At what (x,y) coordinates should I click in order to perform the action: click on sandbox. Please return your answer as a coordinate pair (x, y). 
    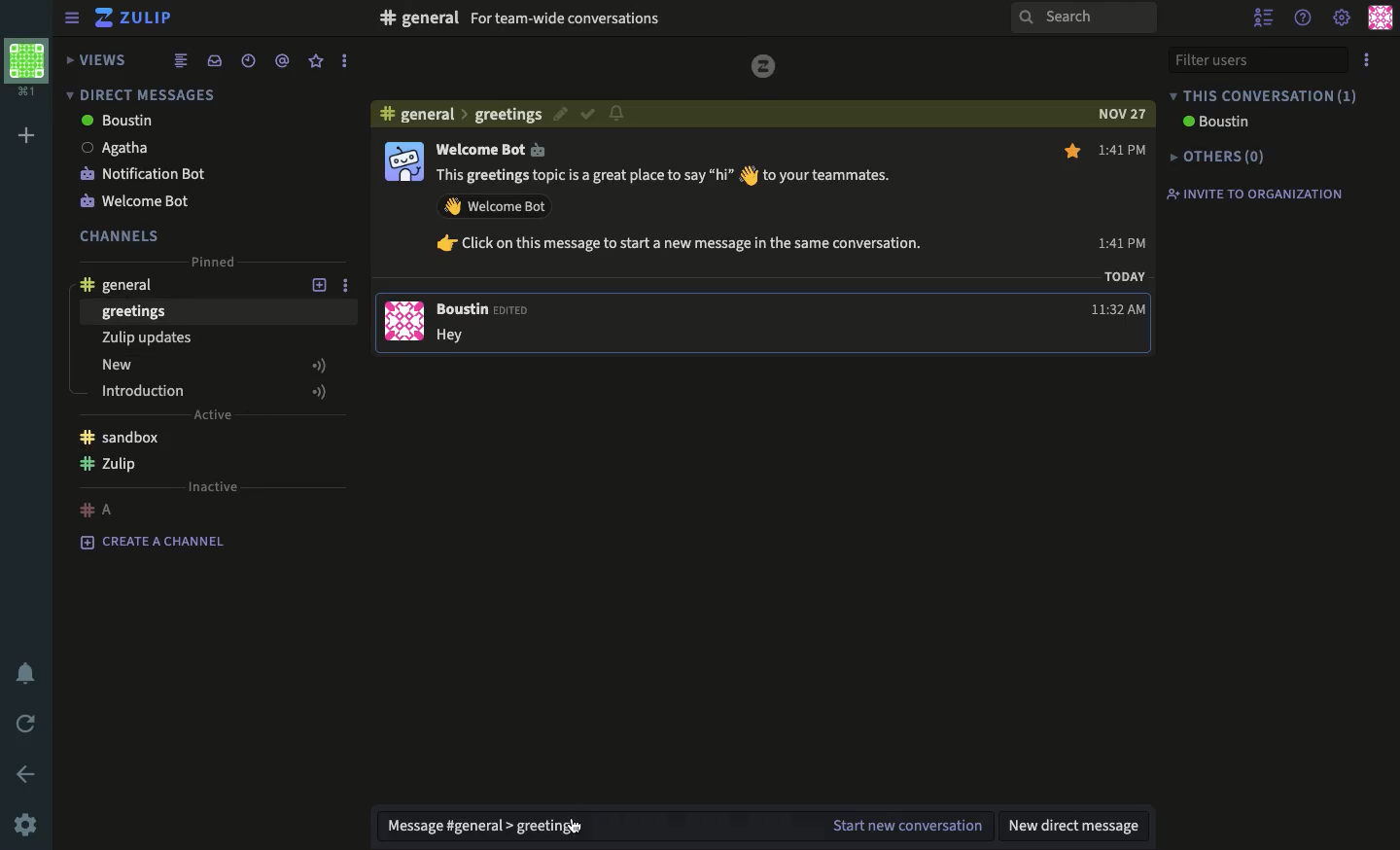
    Looking at the image, I should click on (123, 435).